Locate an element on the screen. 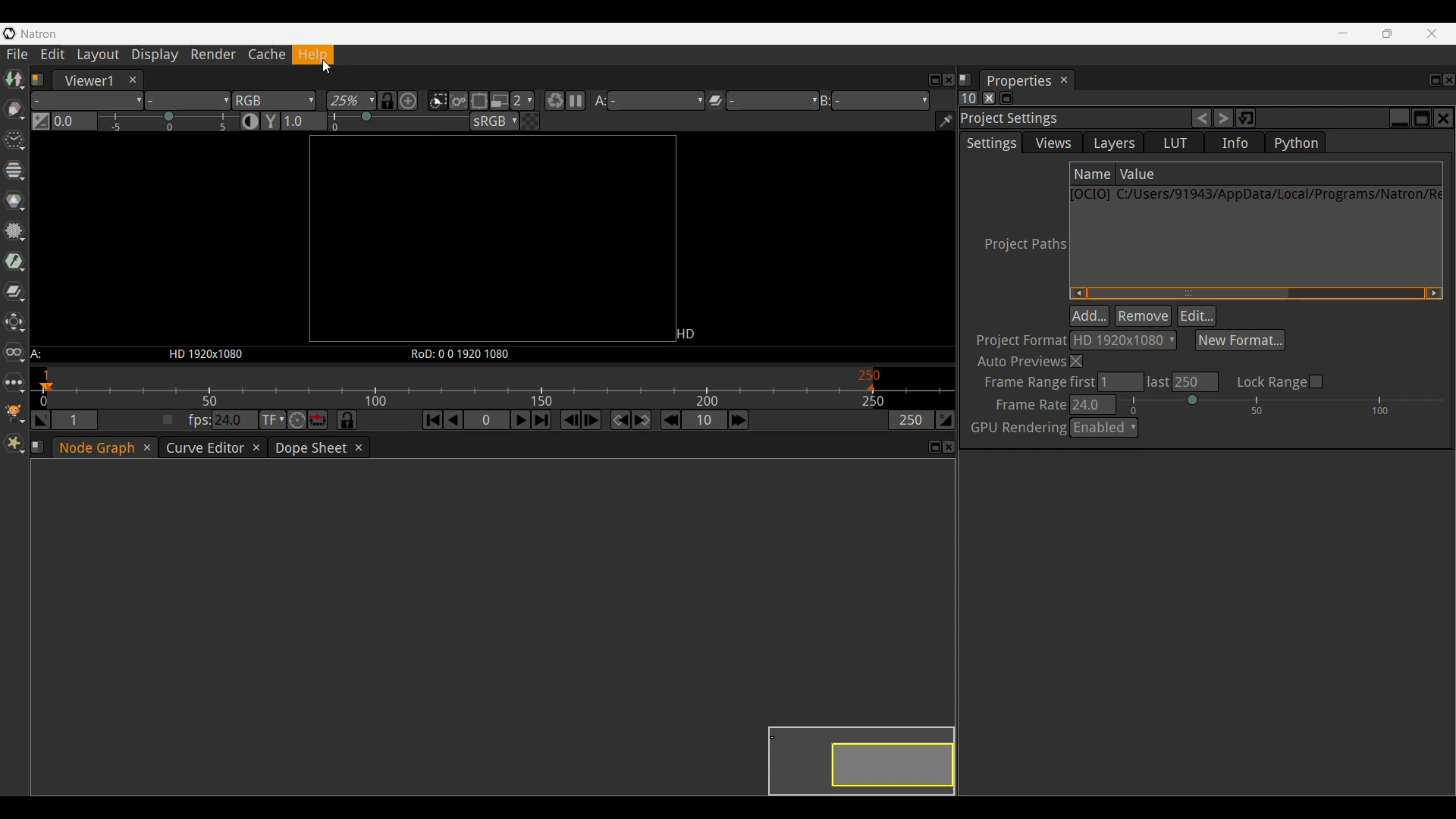 Image resolution: width=1456 pixels, height=819 pixels. Settings is located at coordinates (990, 143).